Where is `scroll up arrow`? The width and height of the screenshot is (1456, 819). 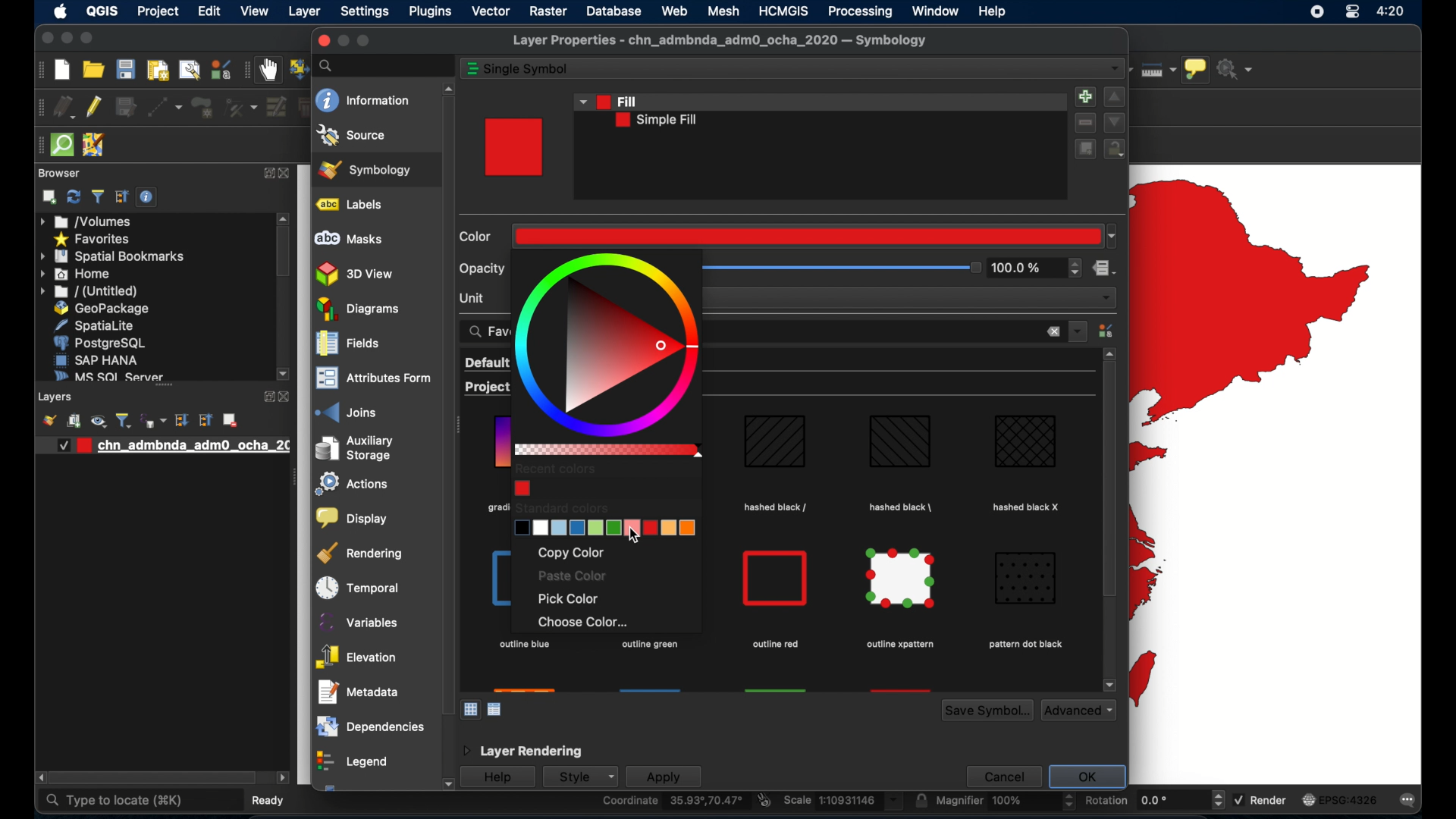 scroll up arrow is located at coordinates (284, 217).